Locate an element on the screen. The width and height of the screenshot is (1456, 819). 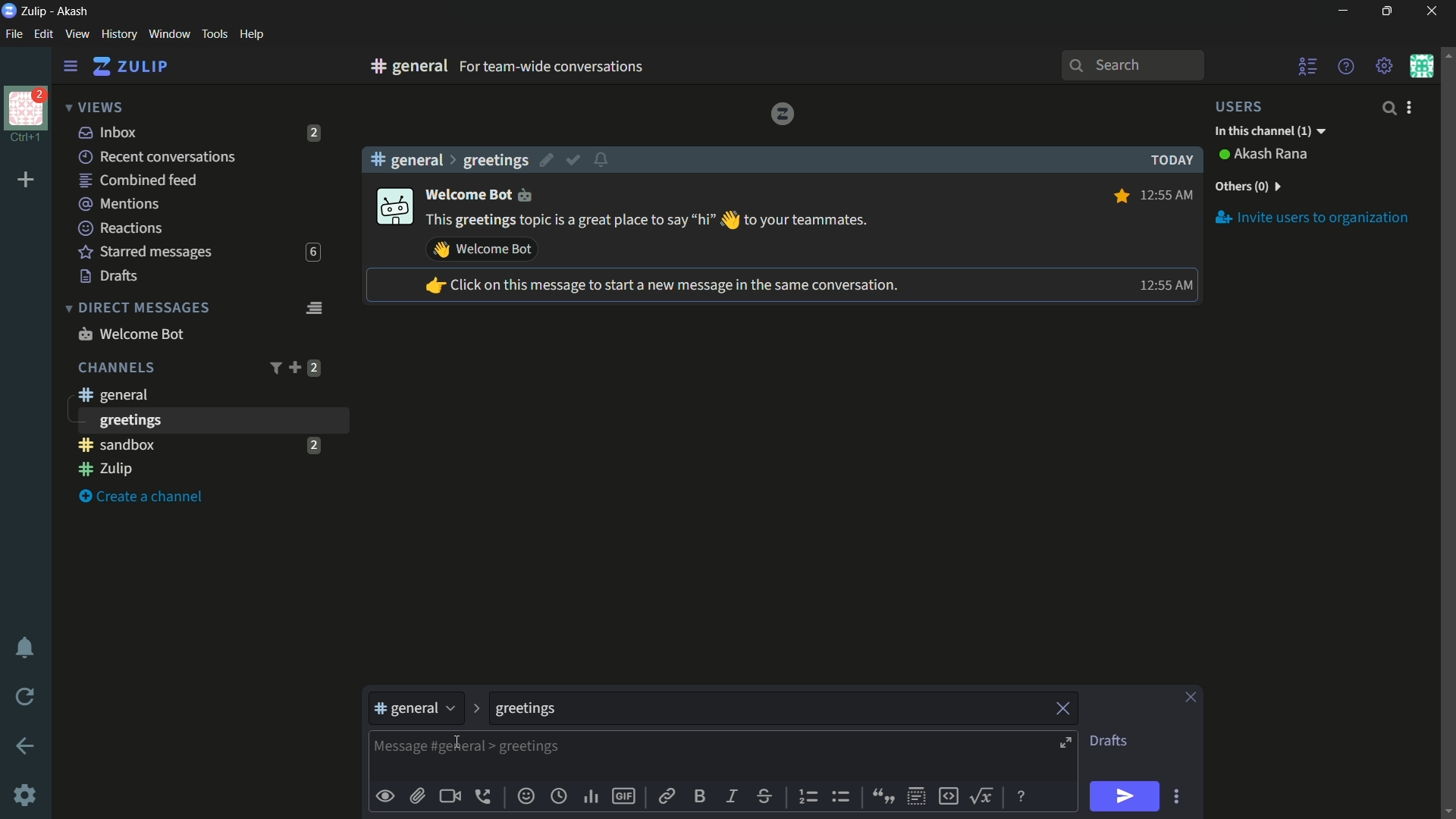
settings is located at coordinates (71, 67).